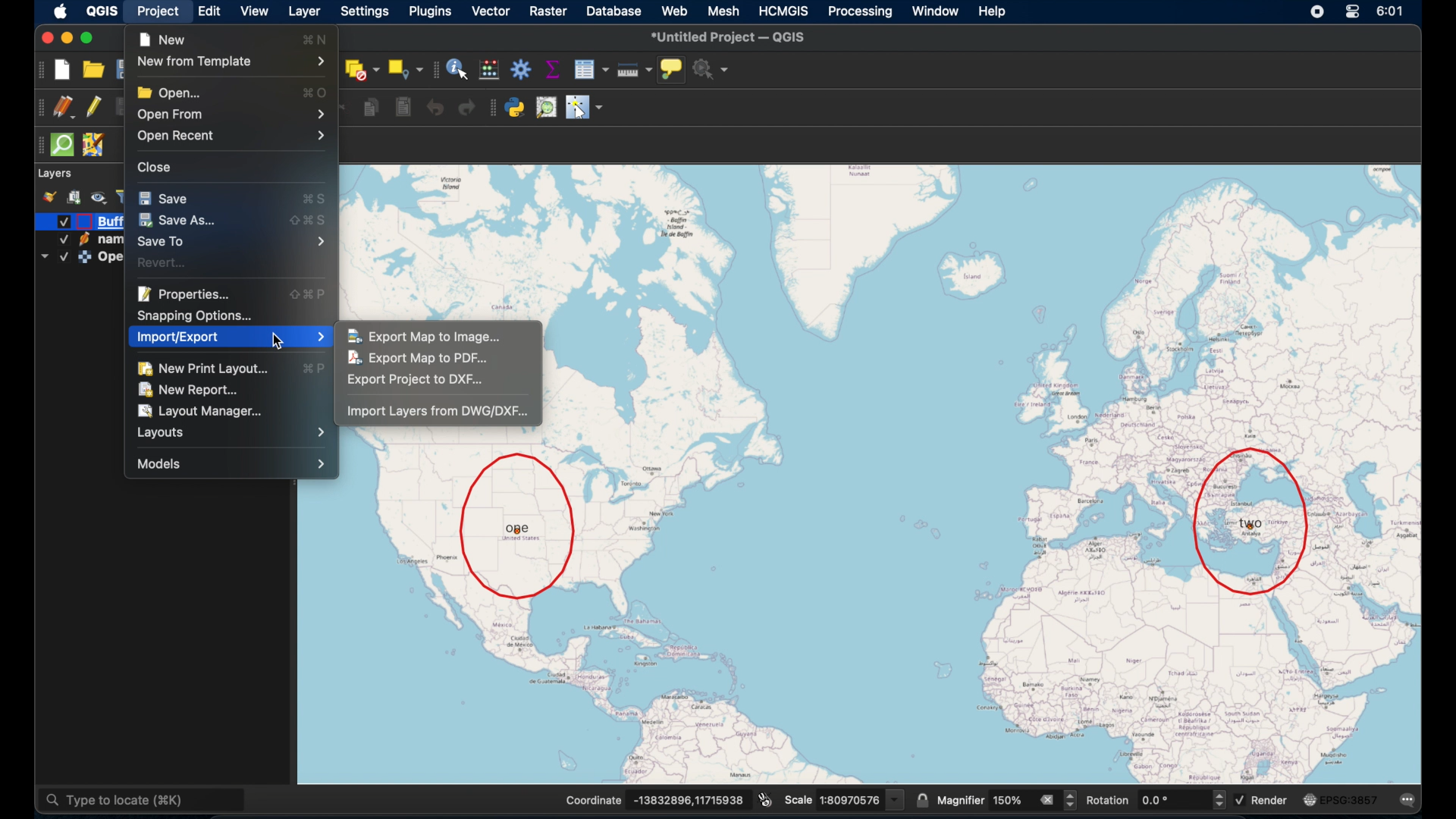  What do you see at coordinates (491, 108) in the screenshot?
I see `plugins toolbar` at bounding box center [491, 108].